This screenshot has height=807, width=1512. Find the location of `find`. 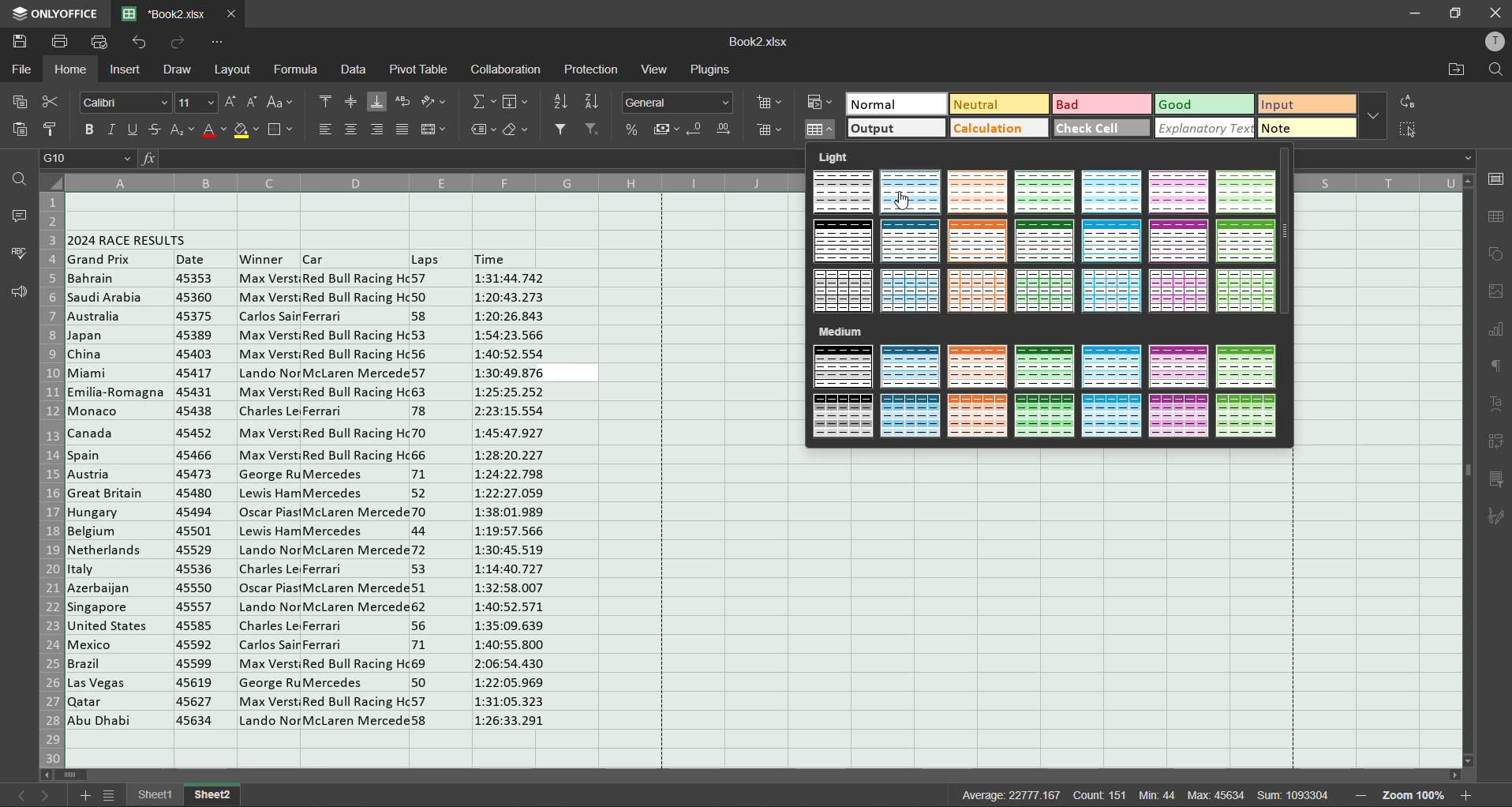

find is located at coordinates (1491, 69).